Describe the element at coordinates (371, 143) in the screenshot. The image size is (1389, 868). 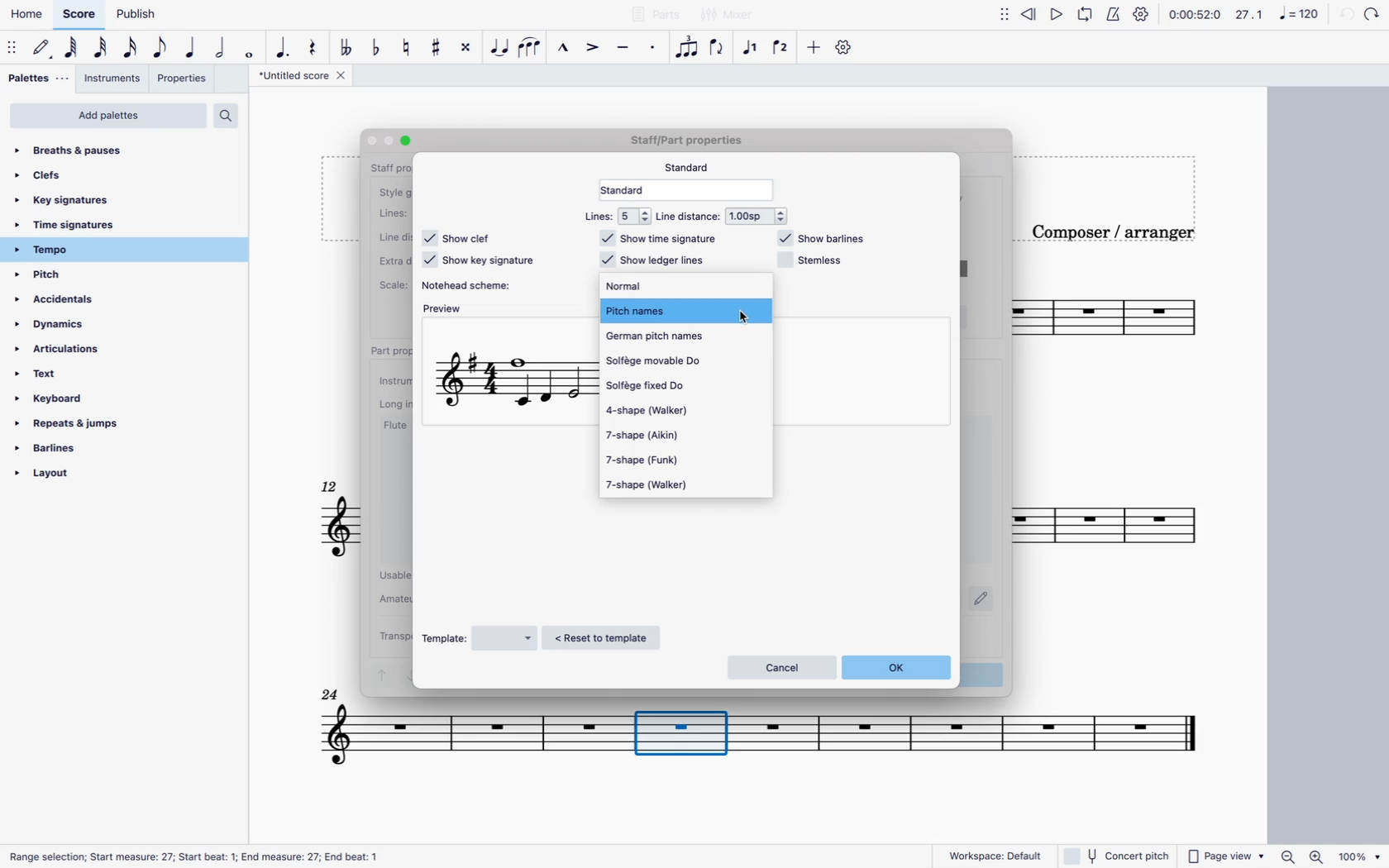
I see `` at that location.